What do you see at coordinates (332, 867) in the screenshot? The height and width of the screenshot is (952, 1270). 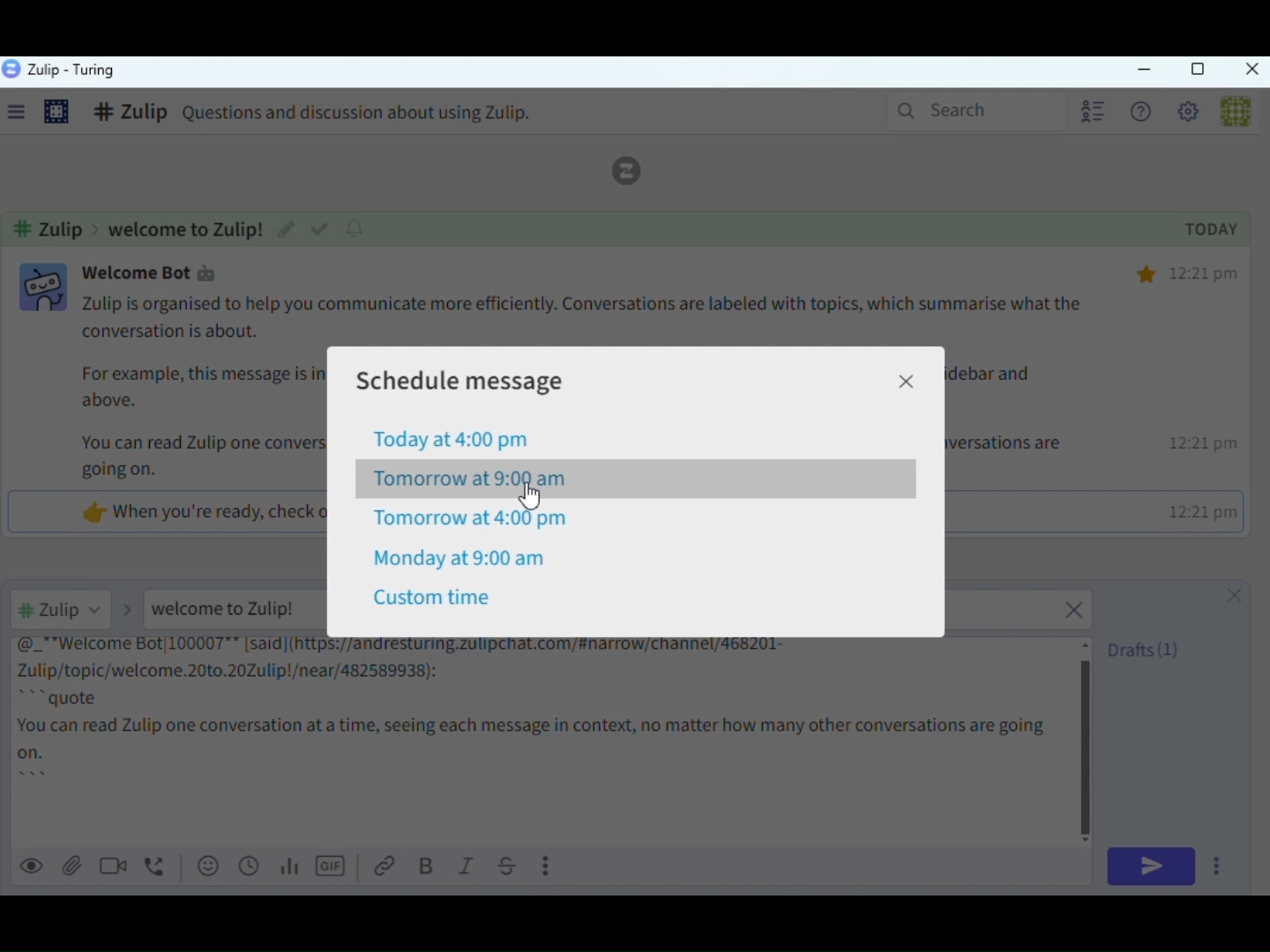 I see `Gif` at bounding box center [332, 867].